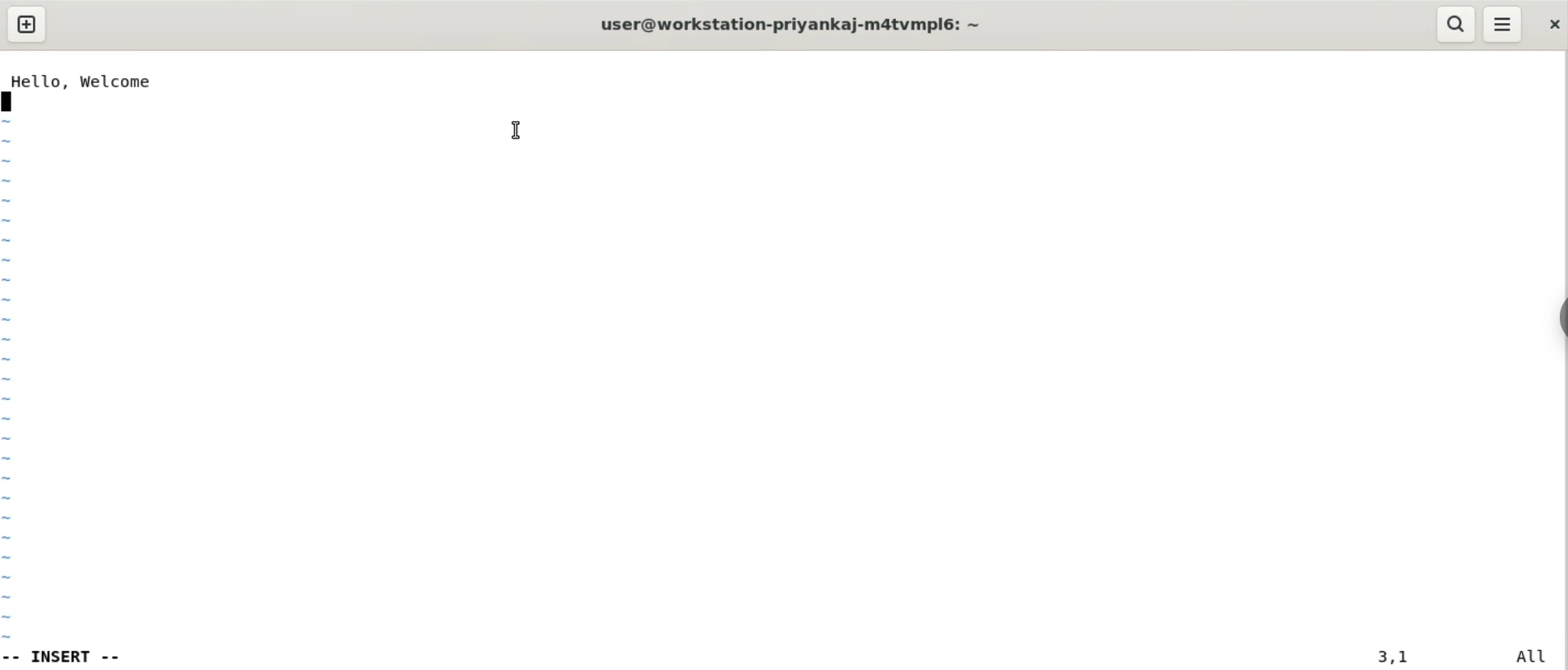  I want to click on cursor, so click(516, 132).